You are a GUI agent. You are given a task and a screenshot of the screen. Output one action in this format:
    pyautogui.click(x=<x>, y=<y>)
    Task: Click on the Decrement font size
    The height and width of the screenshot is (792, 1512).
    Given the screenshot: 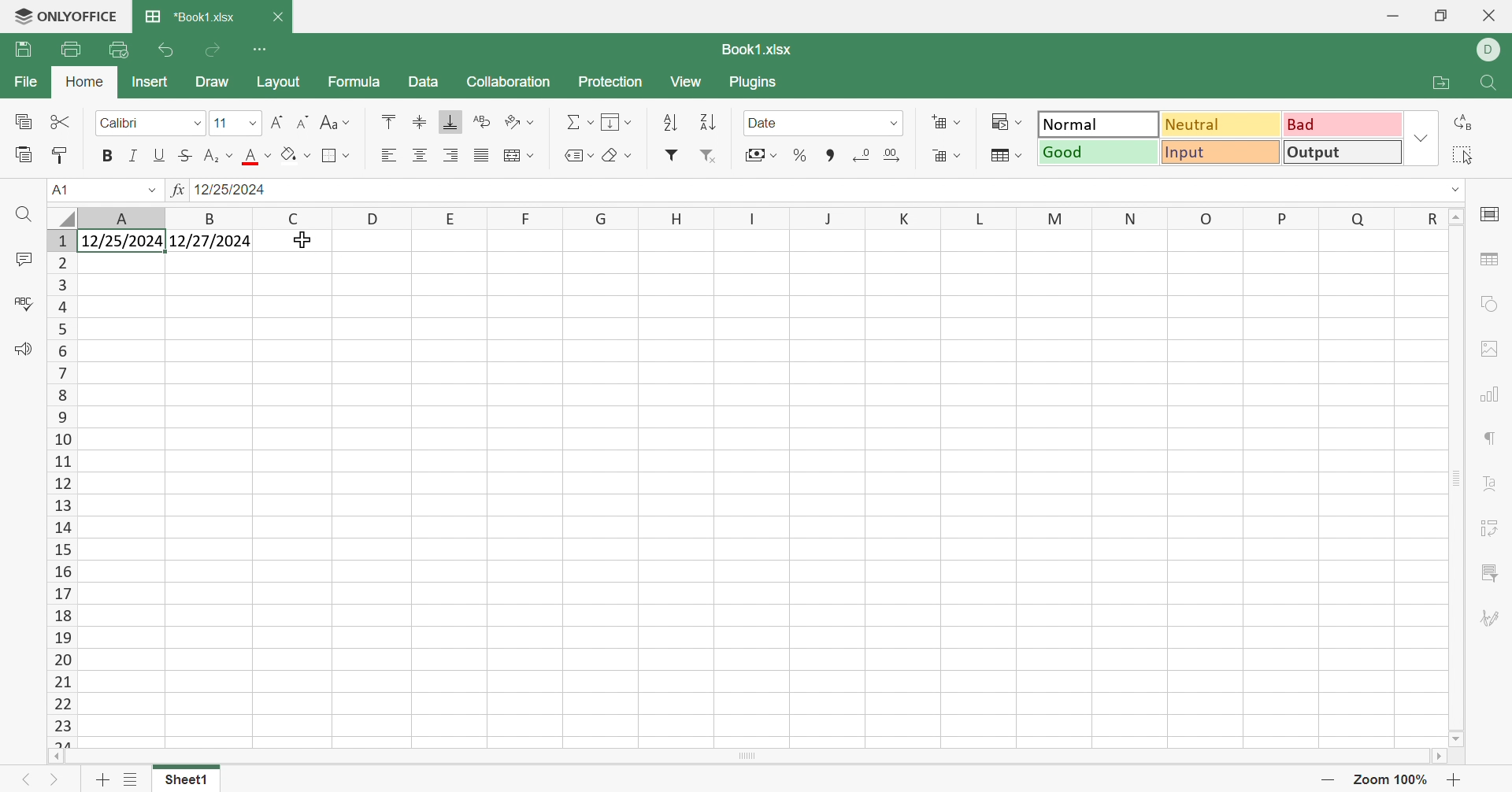 What is the action you would take?
    pyautogui.click(x=301, y=124)
    